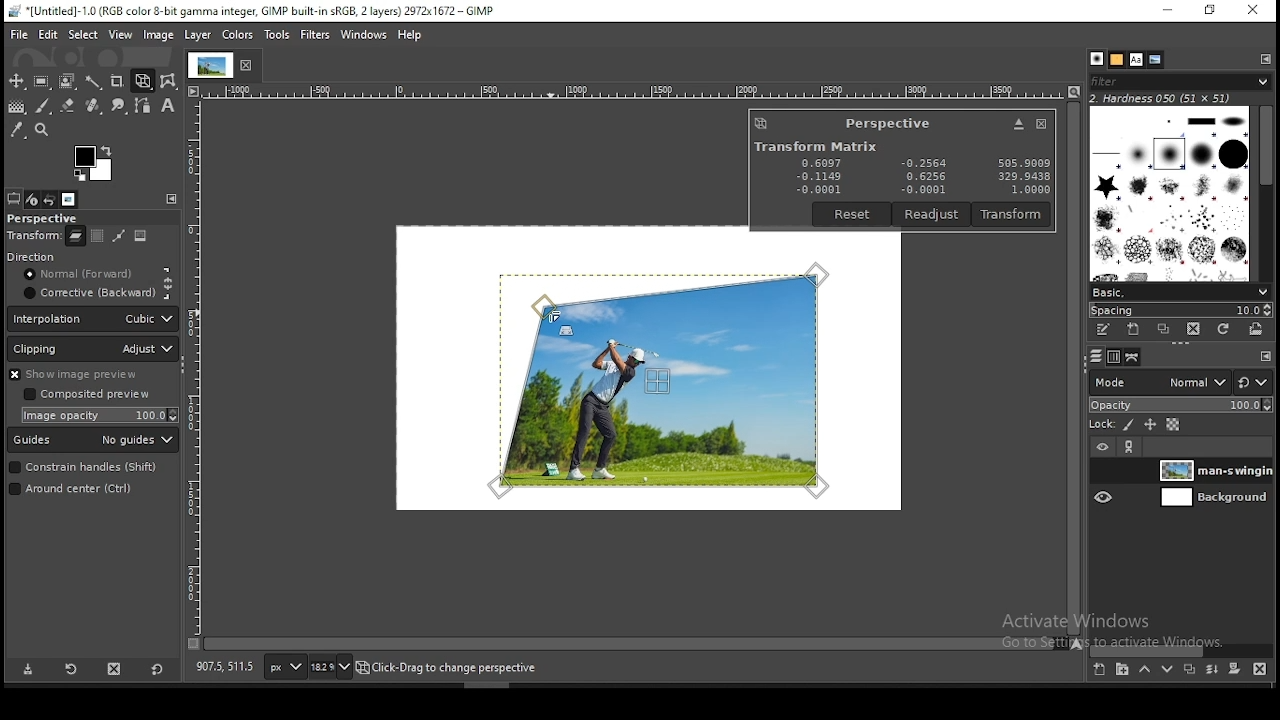 This screenshot has width=1280, height=720. Describe the element at coordinates (920, 190) in the screenshot. I see `-0.0001` at that location.